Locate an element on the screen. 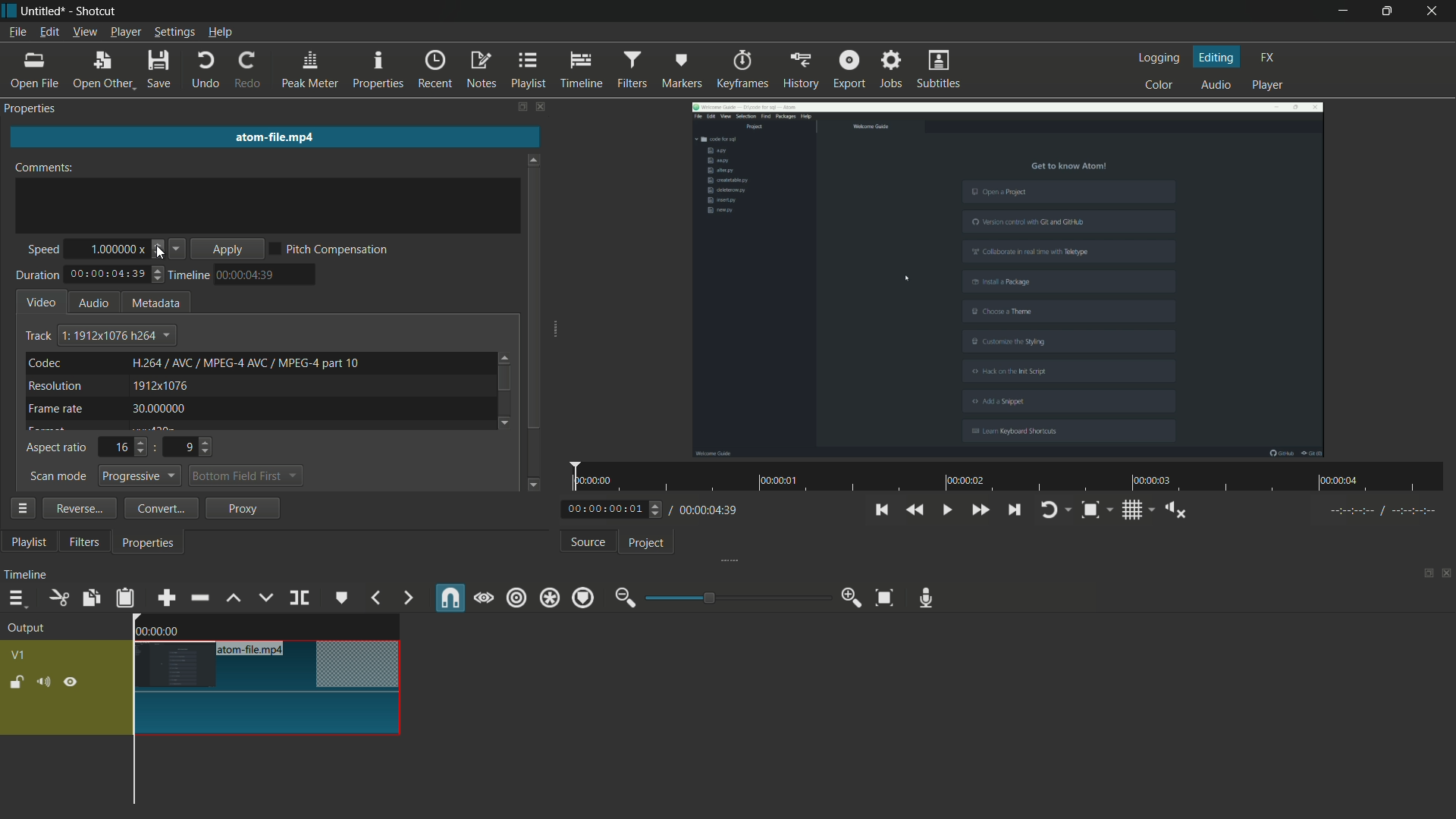 Image resolution: width=1456 pixels, height=819 pixels. more is located at coordinates (22, 508).